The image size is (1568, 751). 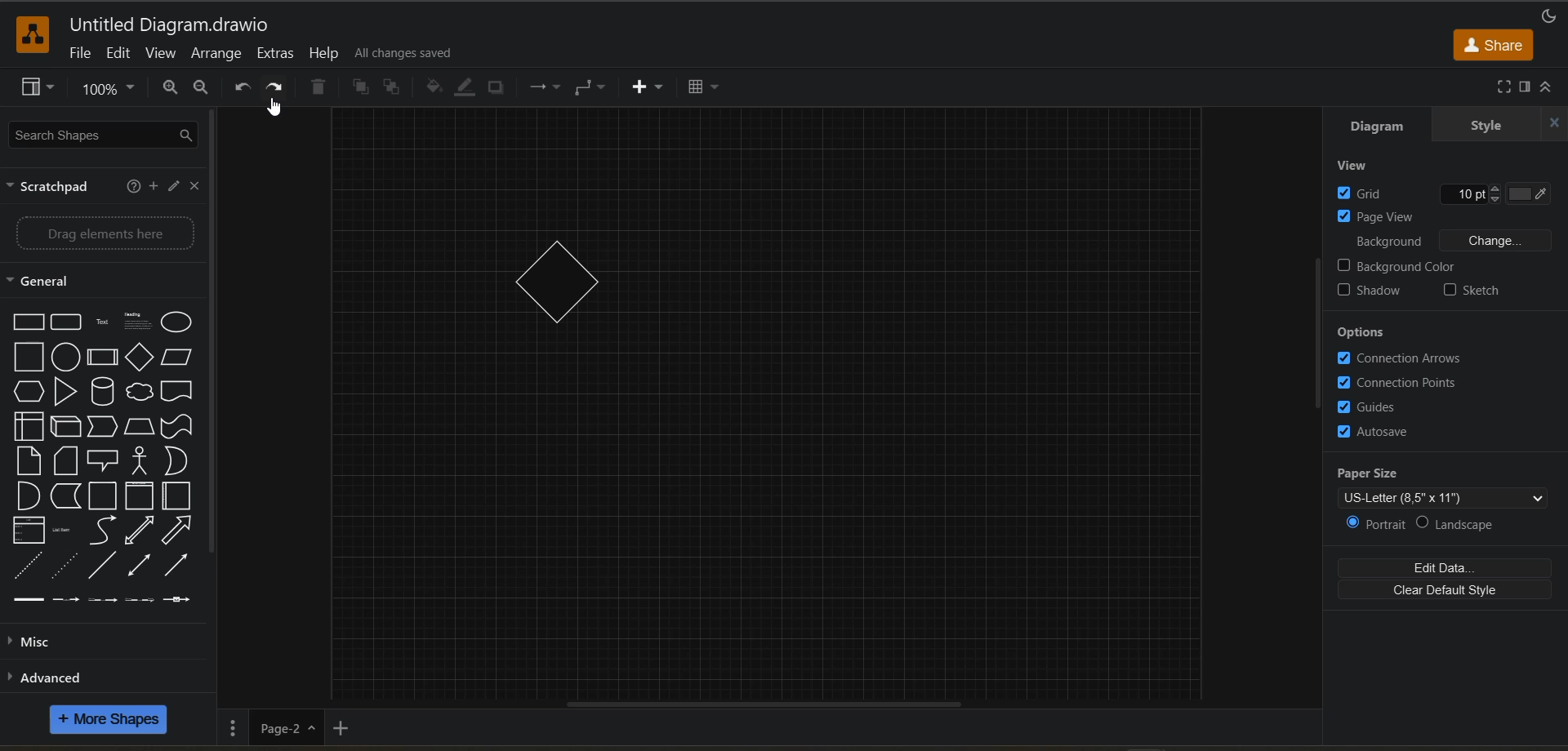 What do you see at coordinates (1394, 216) in the screenshot?
I see `page view` at bounding box center [1394, 216].